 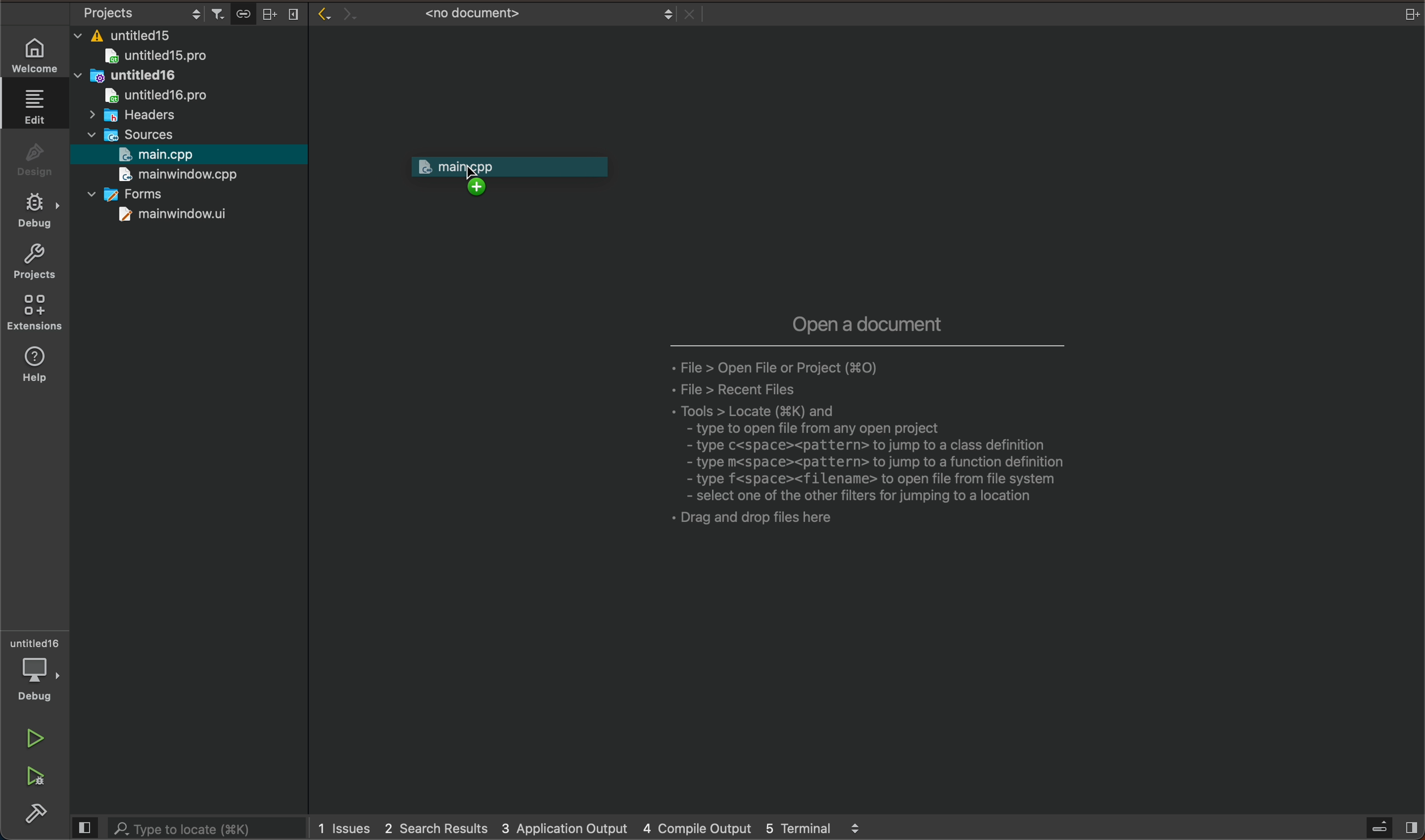 What do you see at coordinates (33, 263) in the screenshot?
I see `projects` at bounding box center [33, 263].